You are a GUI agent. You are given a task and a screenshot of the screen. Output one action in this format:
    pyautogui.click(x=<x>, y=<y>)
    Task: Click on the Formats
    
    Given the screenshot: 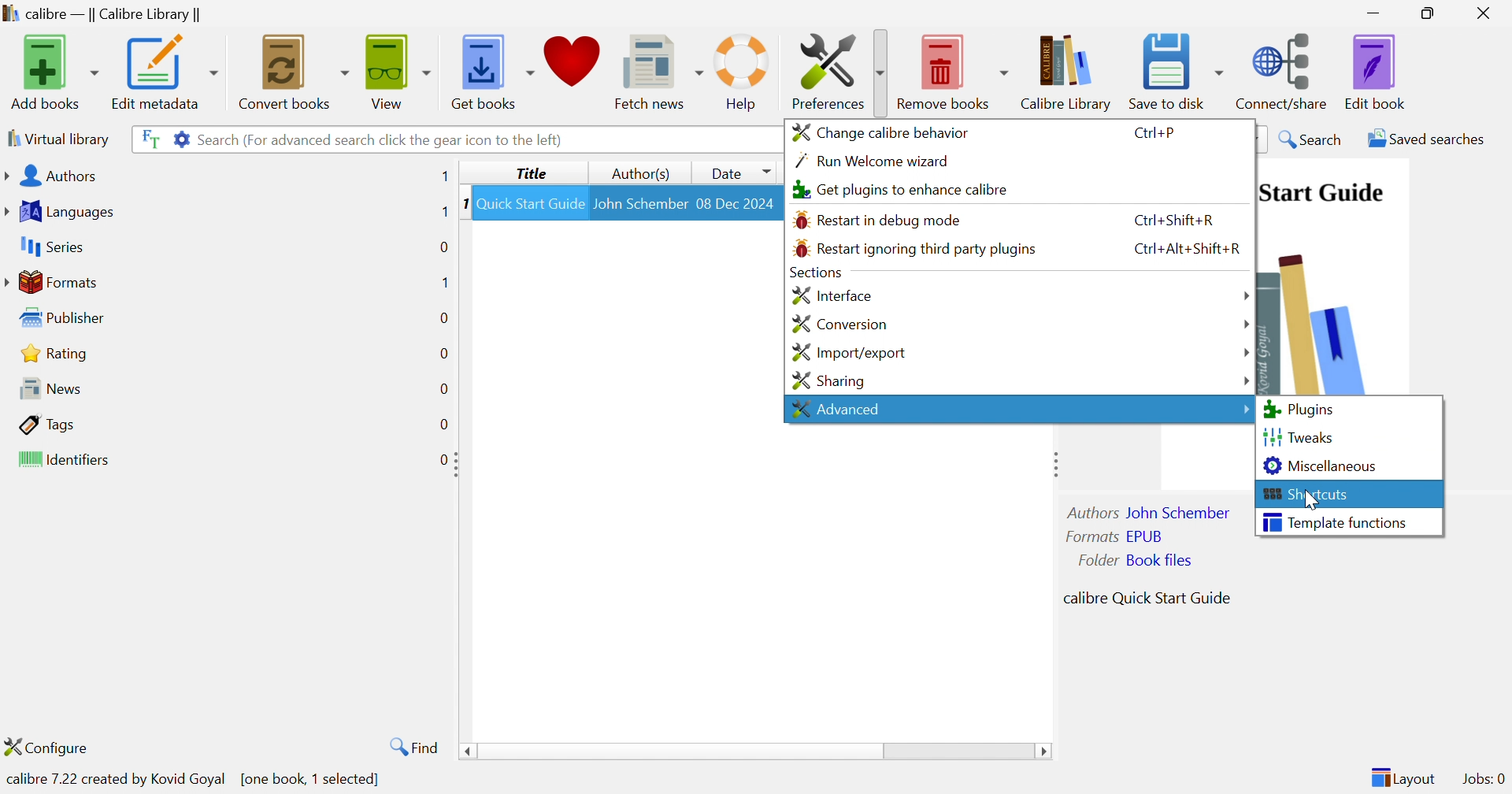 What is the action you would take?
    pyautogui.click(x=54, y=282)
    